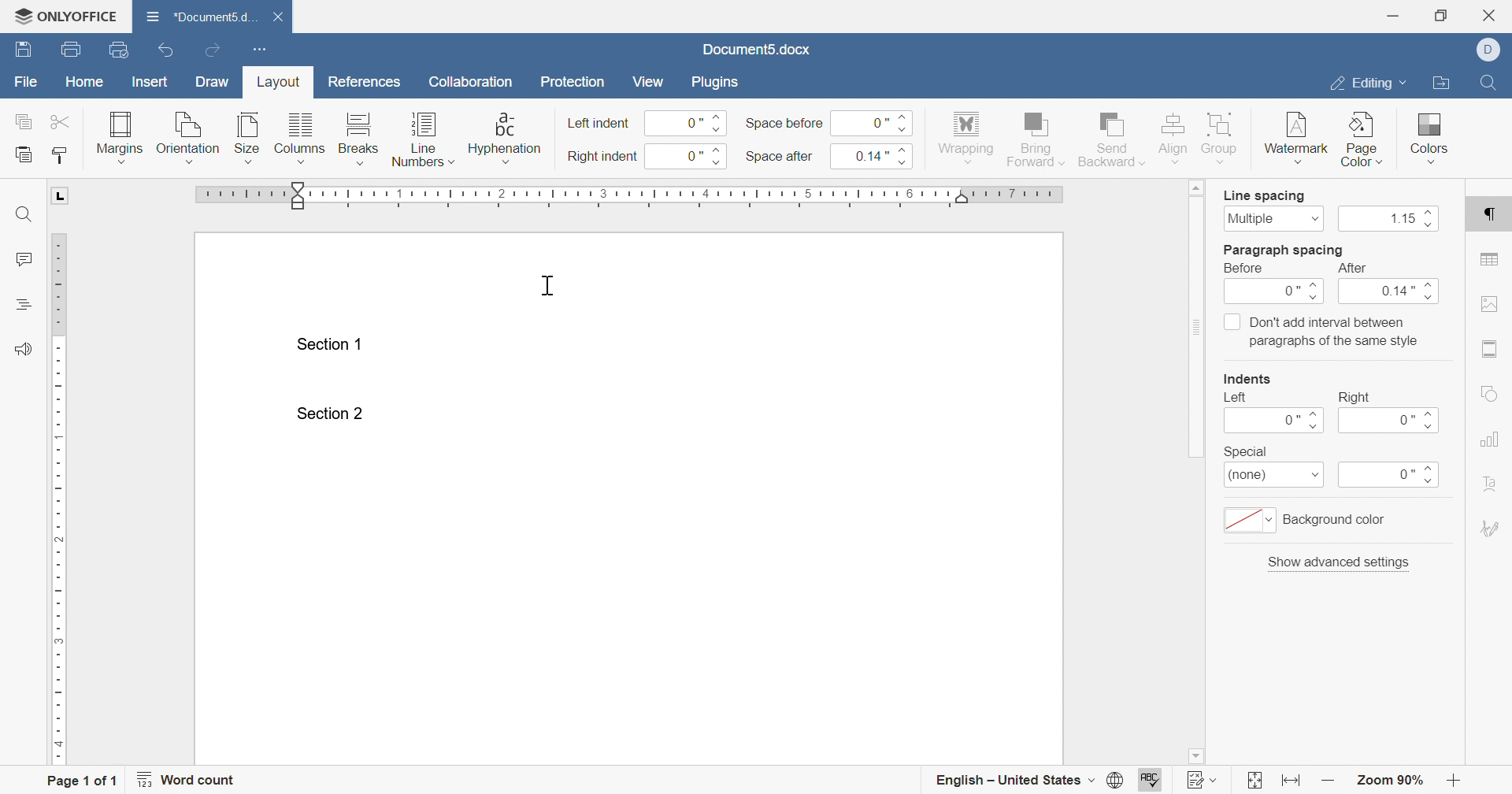  I want to click on save, so click(23, 49).